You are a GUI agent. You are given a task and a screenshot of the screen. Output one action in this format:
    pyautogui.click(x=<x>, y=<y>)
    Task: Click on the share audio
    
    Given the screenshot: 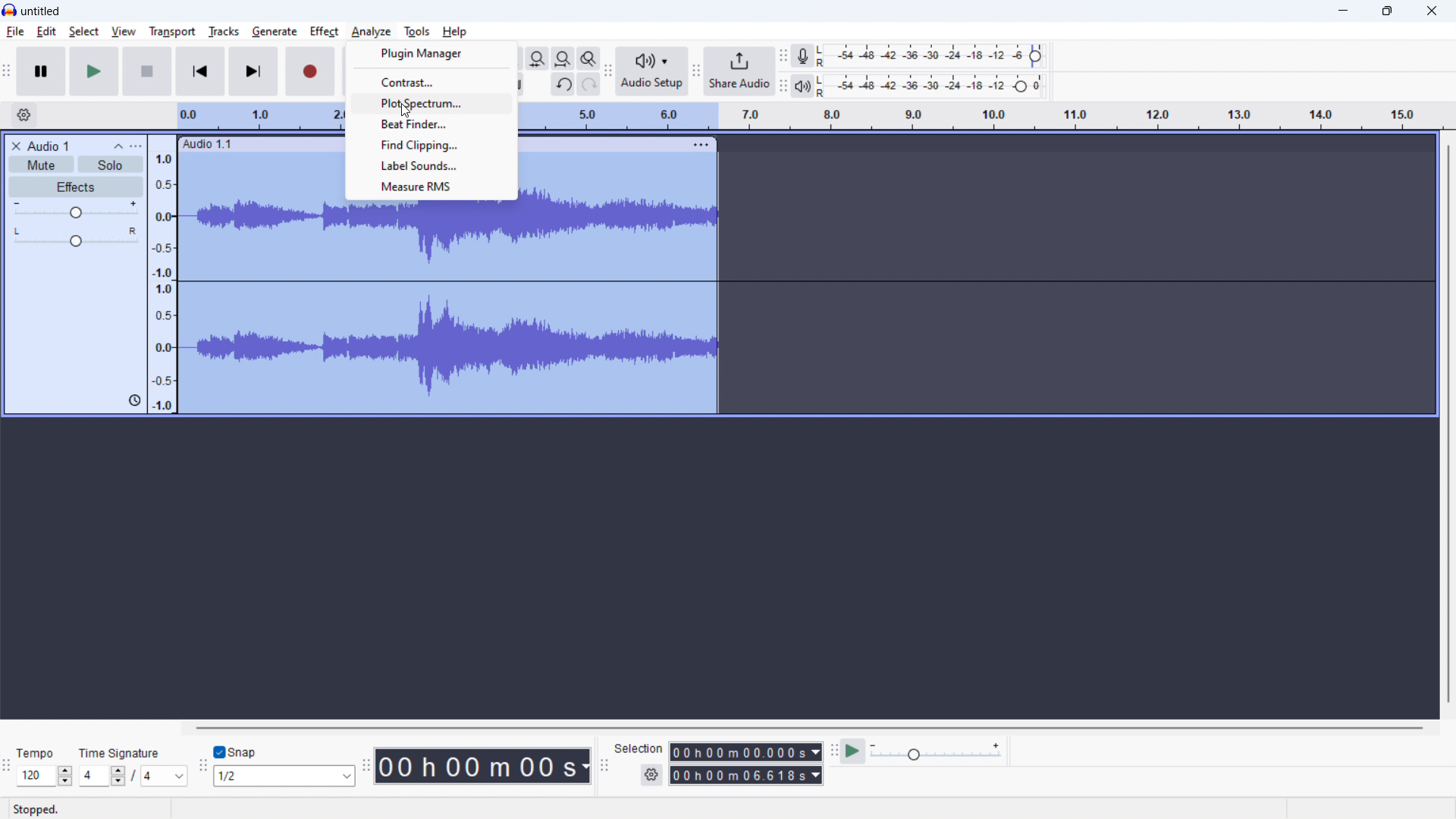 What is the action you would take?
    pyautogui.click(x=740, y=71)
    